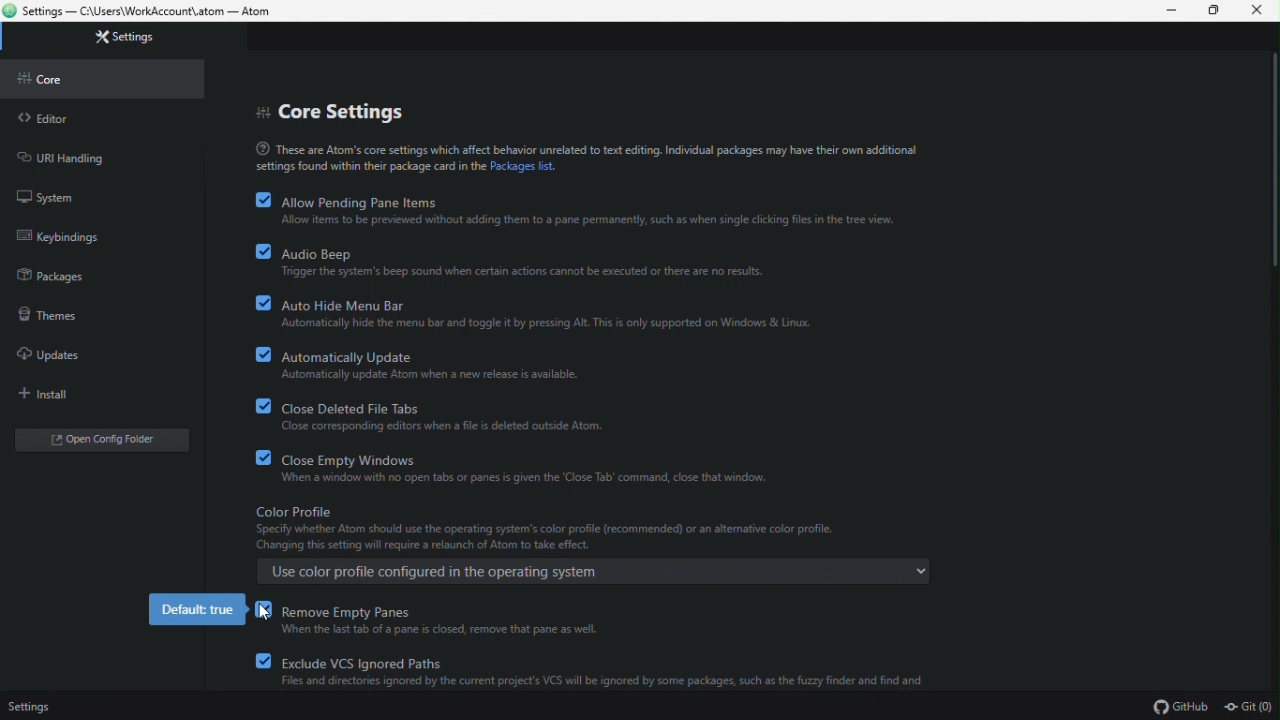 This screenshot has height=720, width=1280. Describe the element at coordinates (53, 79) in the screenshot. I see `core` at that location.